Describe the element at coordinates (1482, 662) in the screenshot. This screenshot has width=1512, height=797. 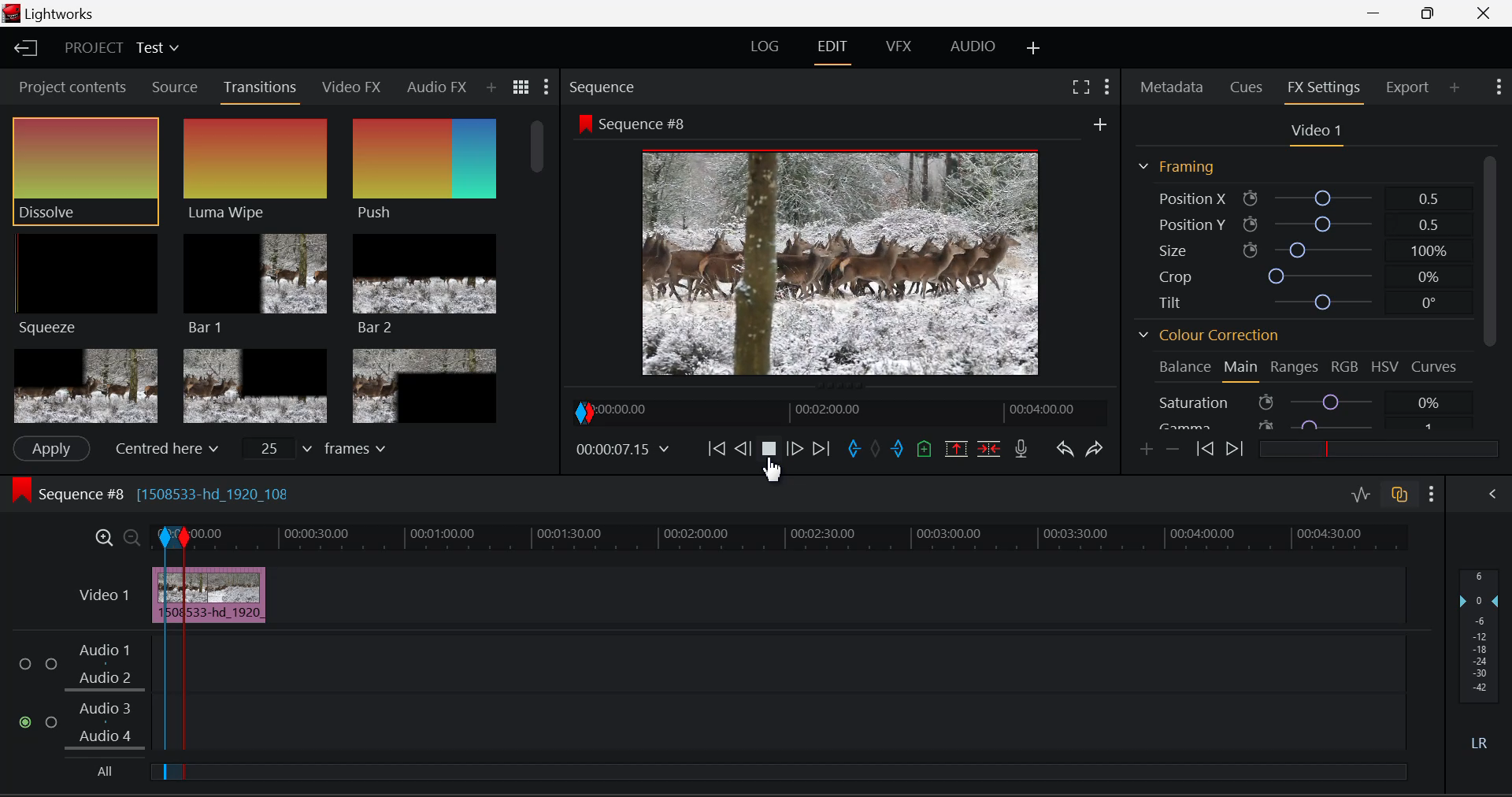
I see `Decibel Level` at that location.